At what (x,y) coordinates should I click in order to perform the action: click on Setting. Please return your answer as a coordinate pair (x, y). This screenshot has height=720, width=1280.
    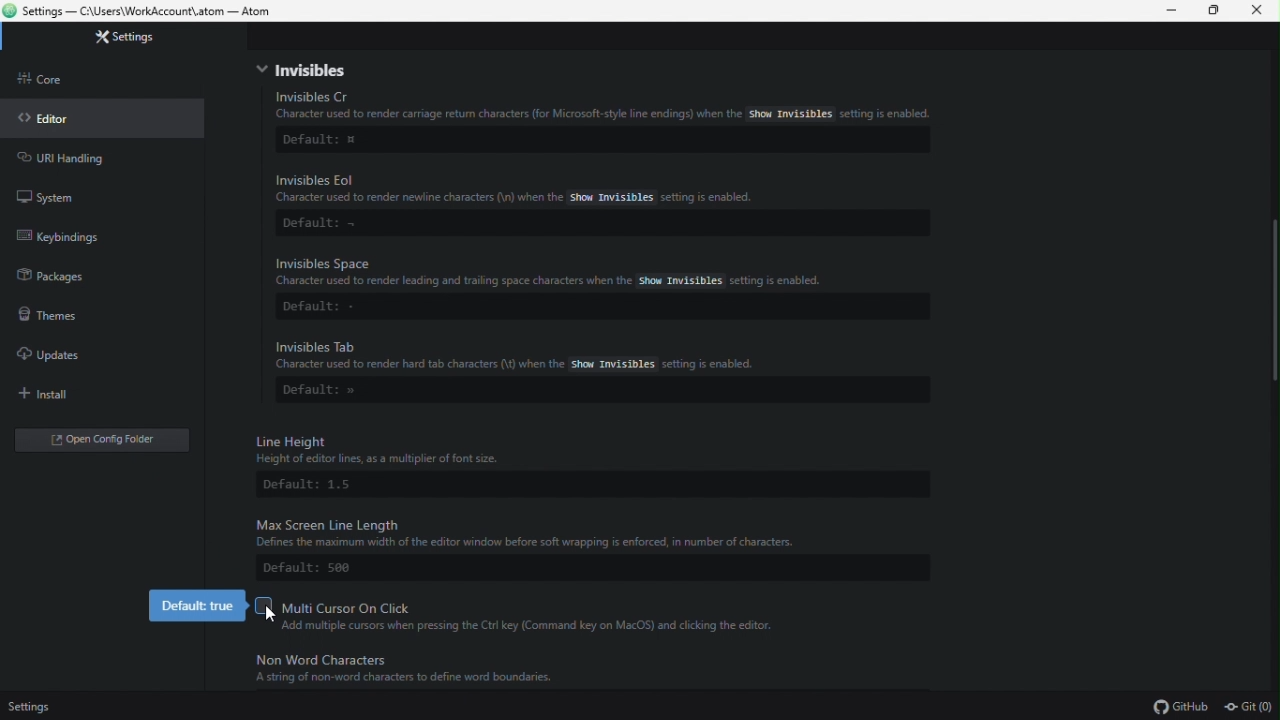
    Looking at the image, I should click on (147, 39).